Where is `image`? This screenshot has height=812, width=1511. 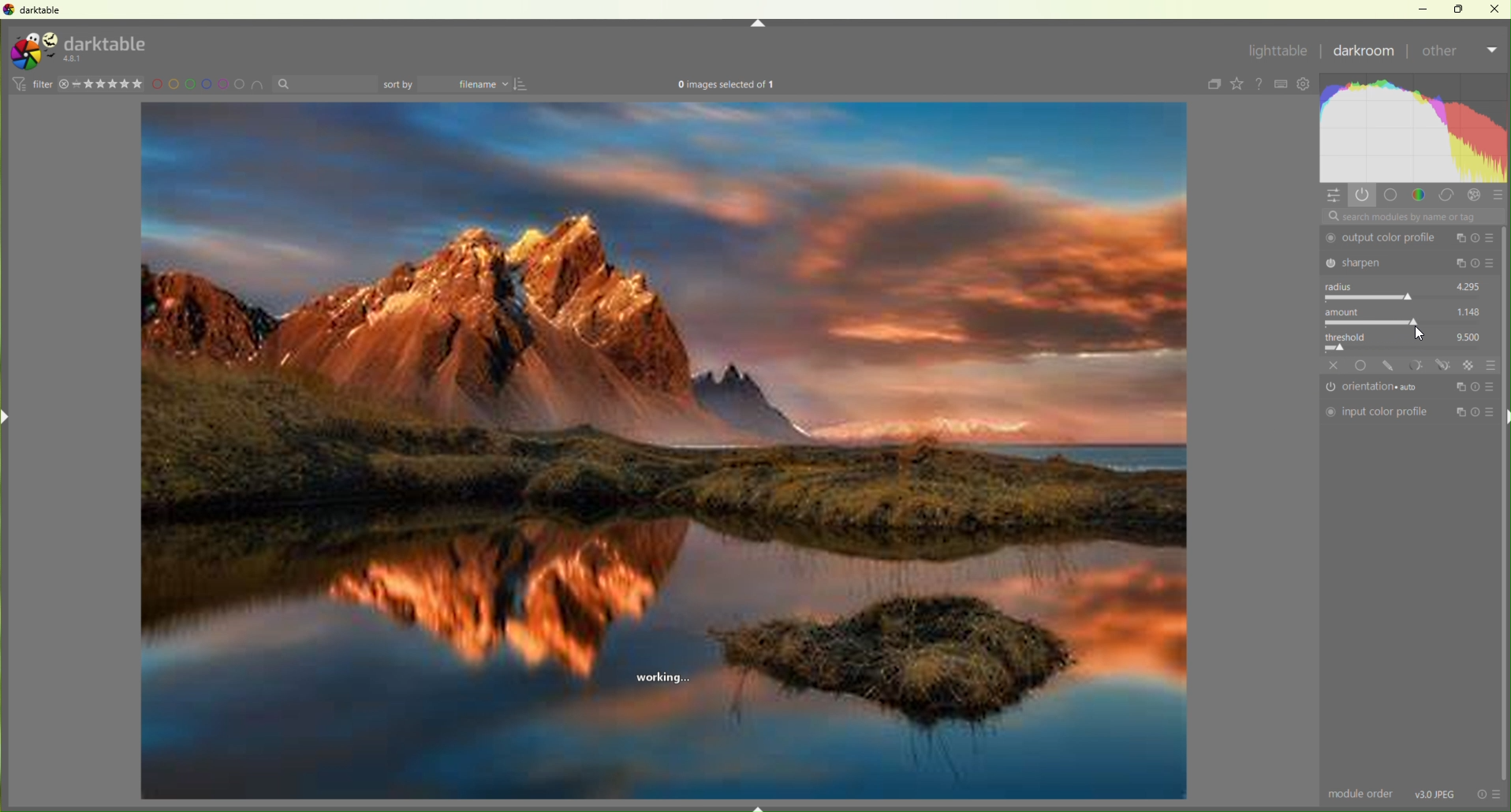
image is located at coordinates (664, 453).